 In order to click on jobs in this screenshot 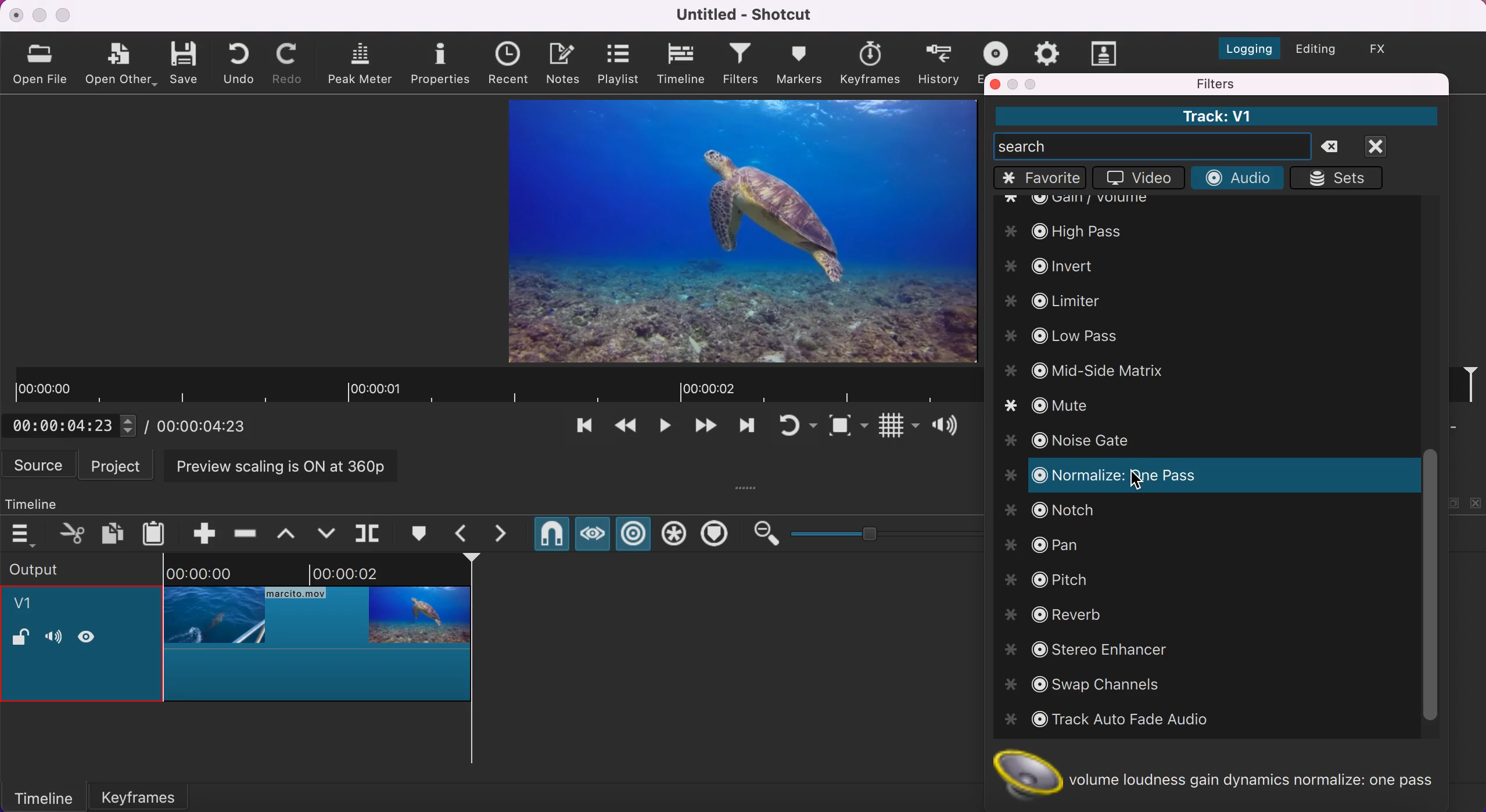, I will do `click(1047, 51)`.